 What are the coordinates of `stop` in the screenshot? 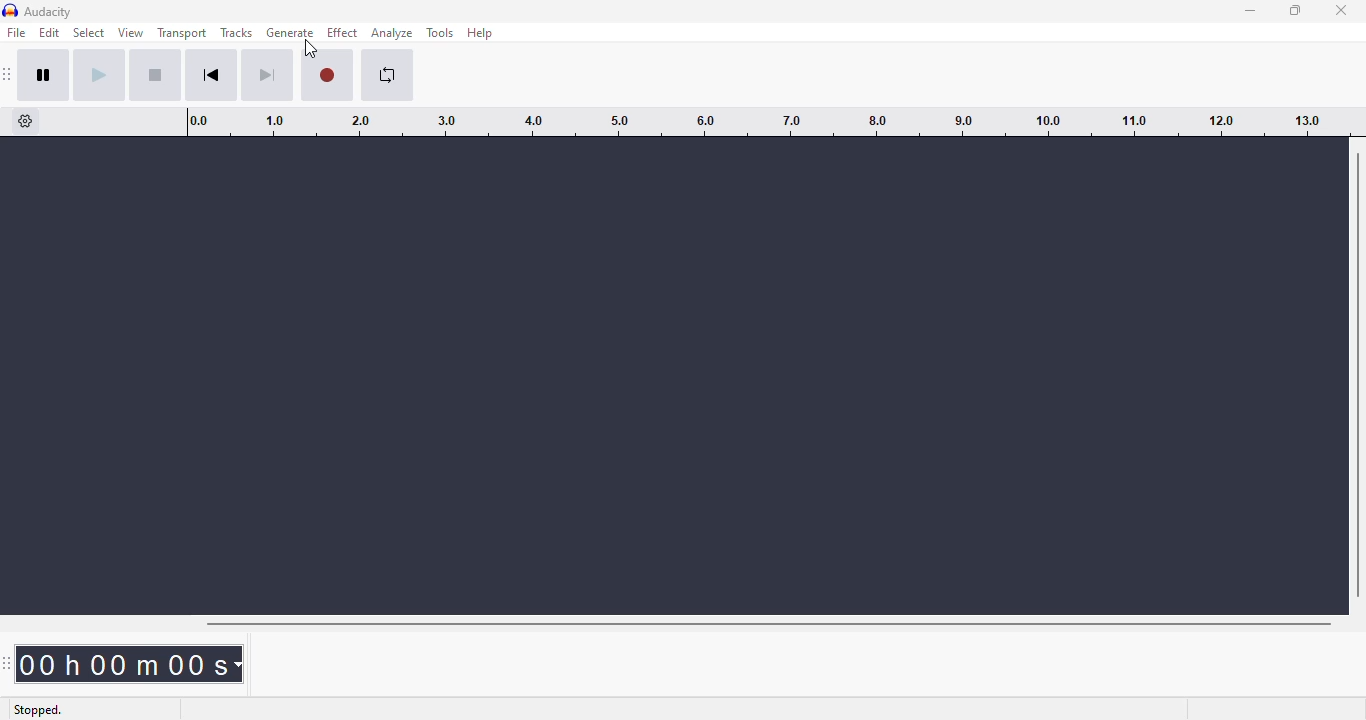 It's located at (155, 75).